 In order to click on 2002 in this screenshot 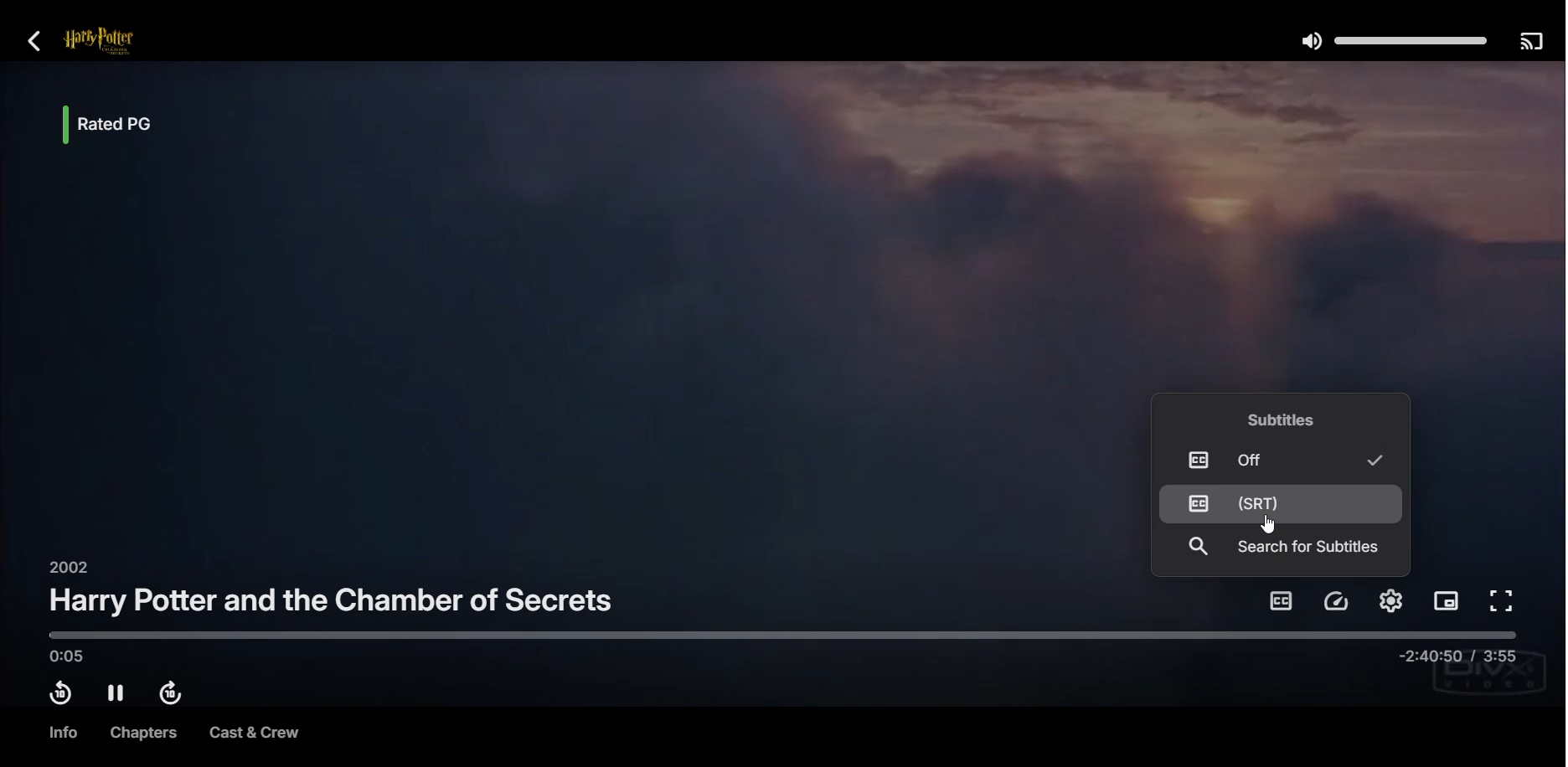, I will do `click(65, 566)`.